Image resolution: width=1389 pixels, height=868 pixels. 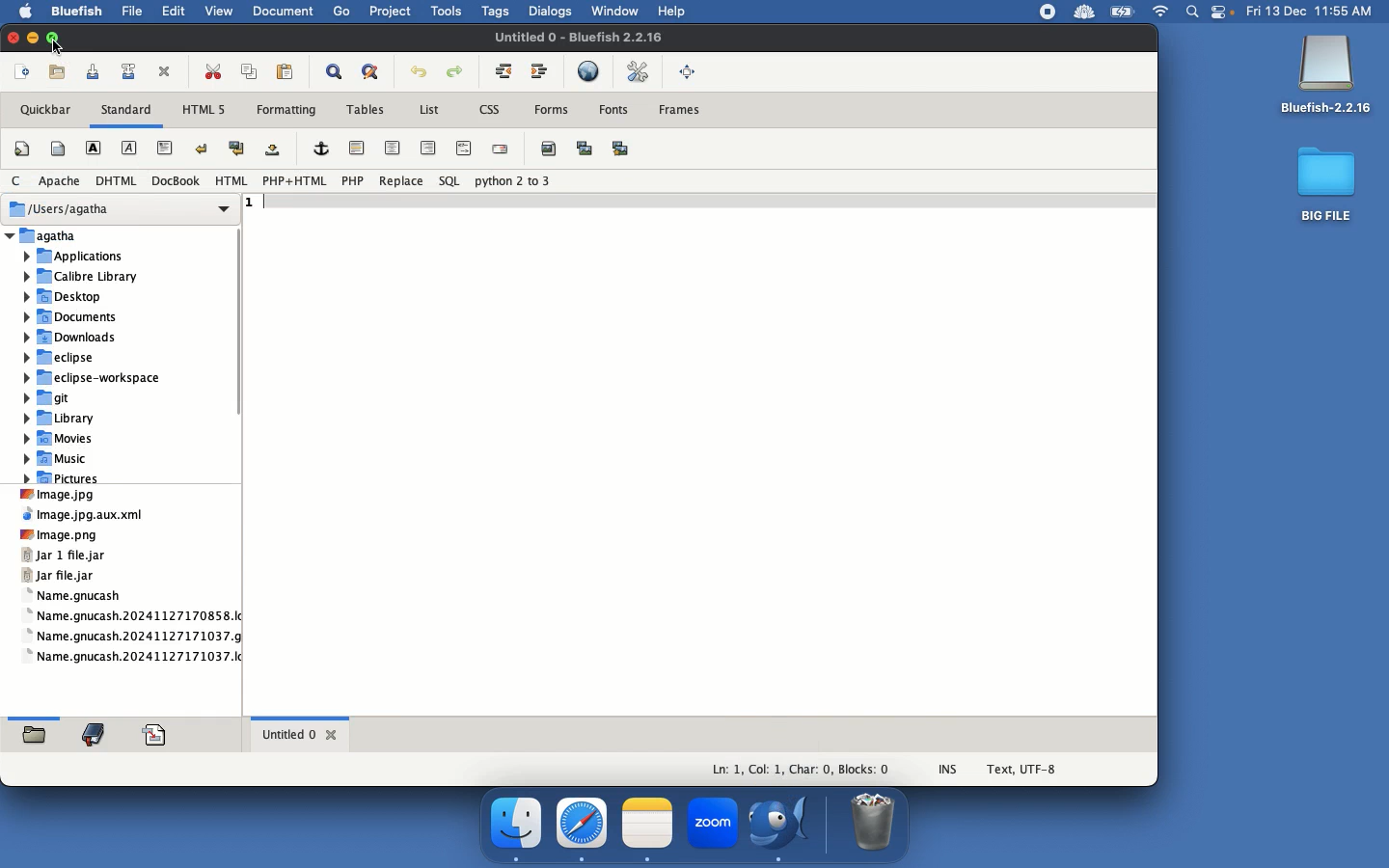 I want to click on untitled, so click(x=586, y=37).